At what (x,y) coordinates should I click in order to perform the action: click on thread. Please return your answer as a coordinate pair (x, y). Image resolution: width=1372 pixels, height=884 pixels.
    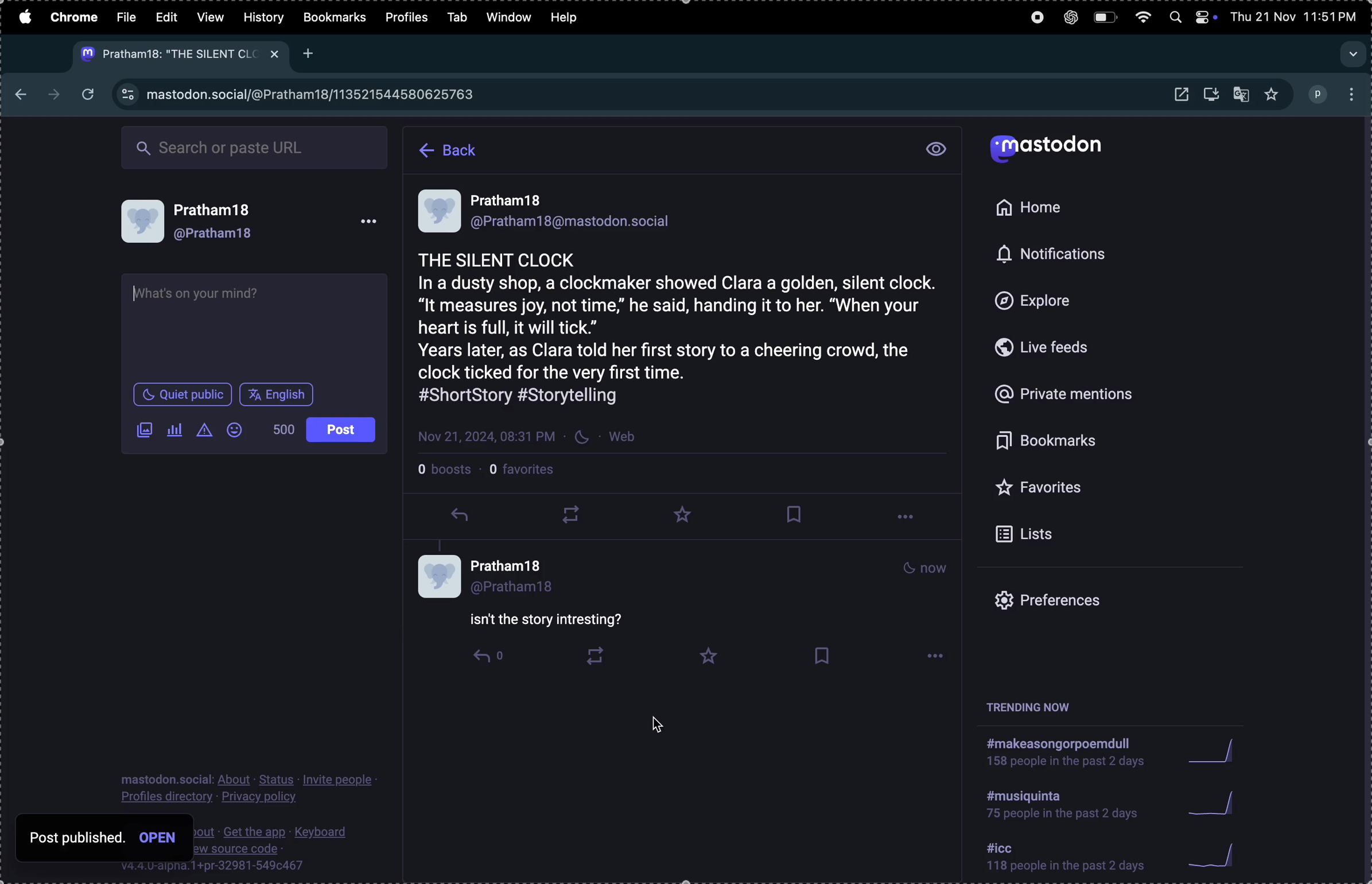
    Looking at the image, I should click on (686, 614).